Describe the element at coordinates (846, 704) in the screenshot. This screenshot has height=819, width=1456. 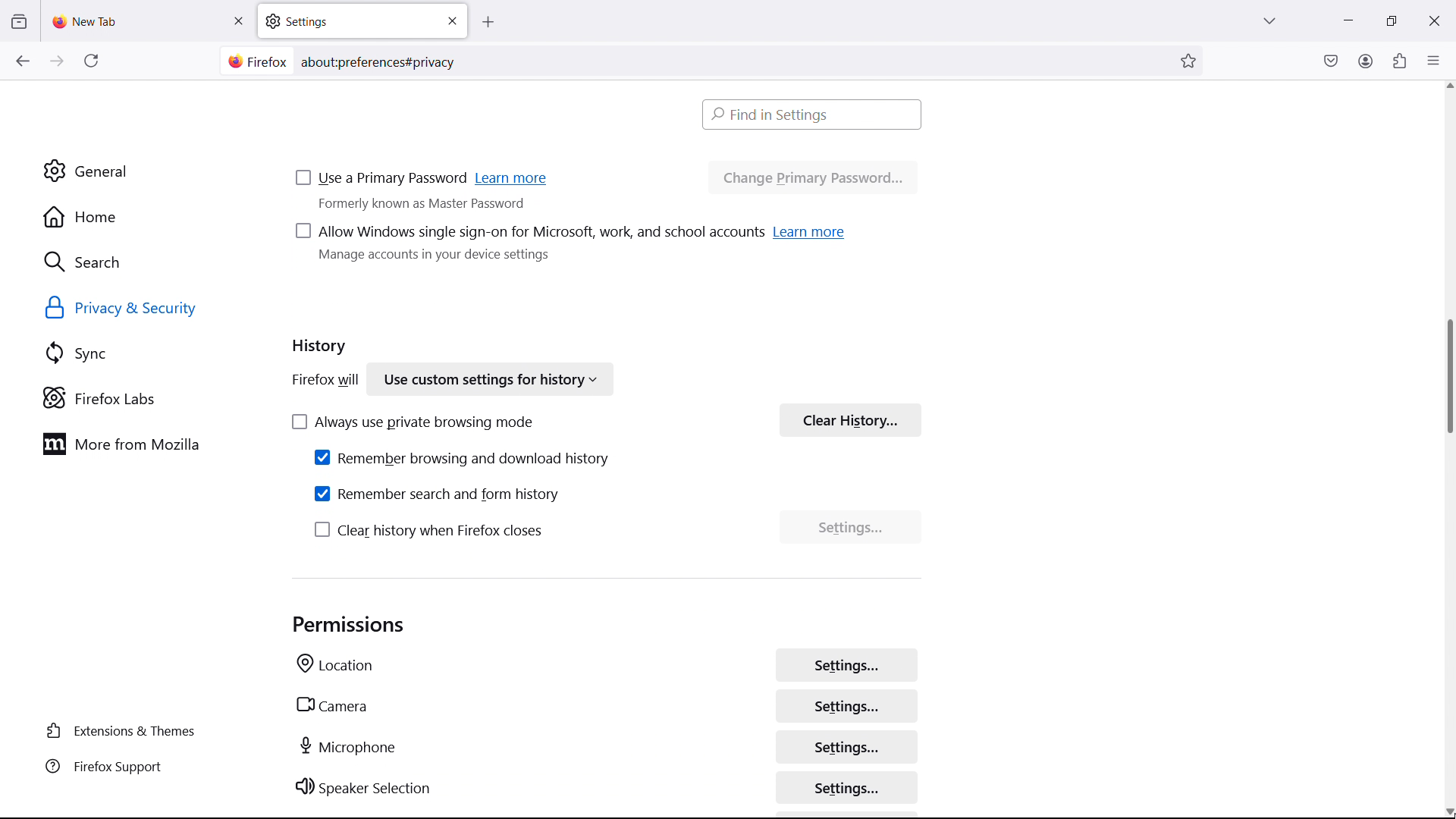
I see `camera permission settings` at that location.